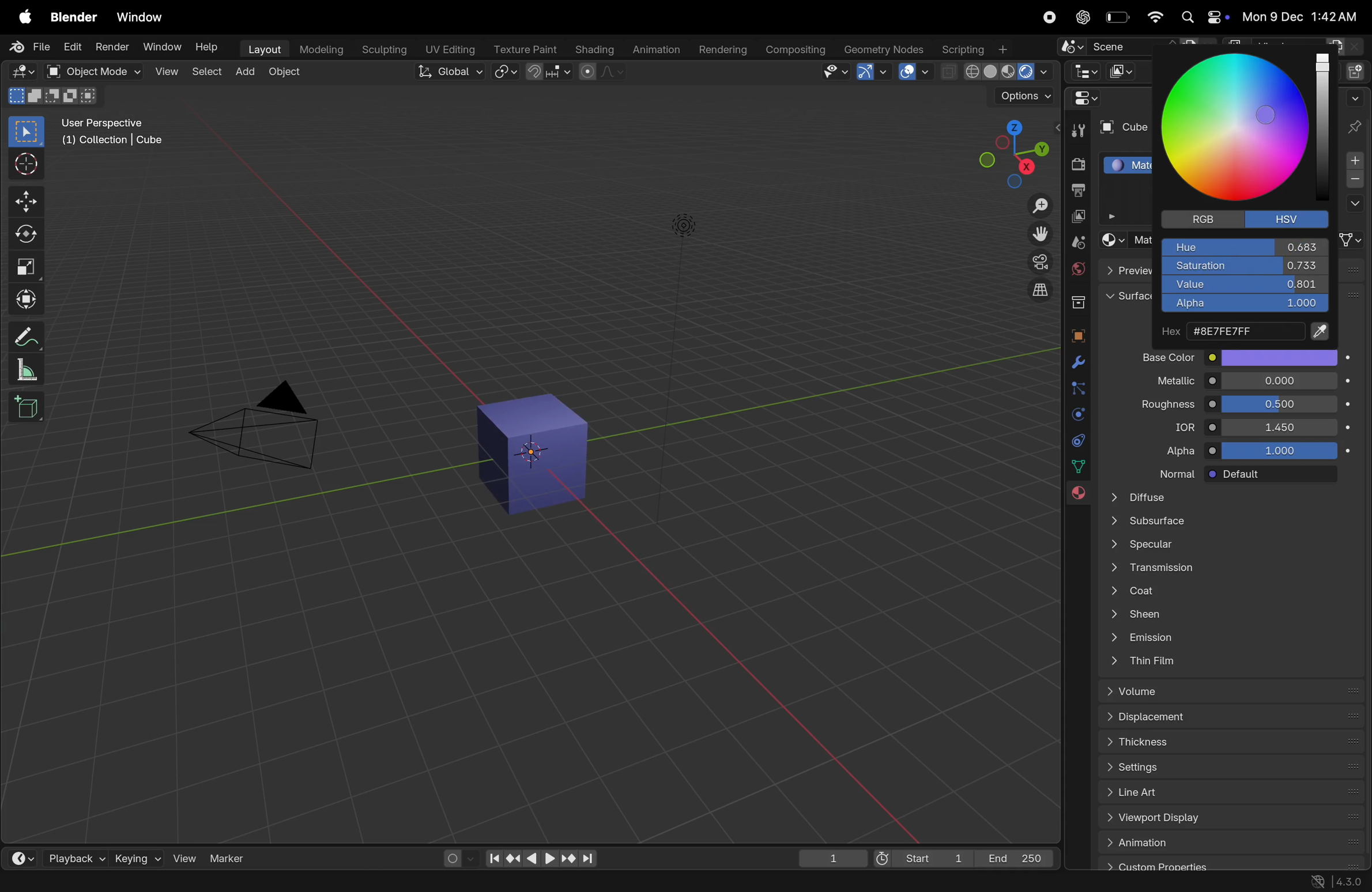 The width and height of the screenshot is (1372, 892). Describe the element at coordinates (1223, 570) in the screenshot. I see `Transition` at that location.